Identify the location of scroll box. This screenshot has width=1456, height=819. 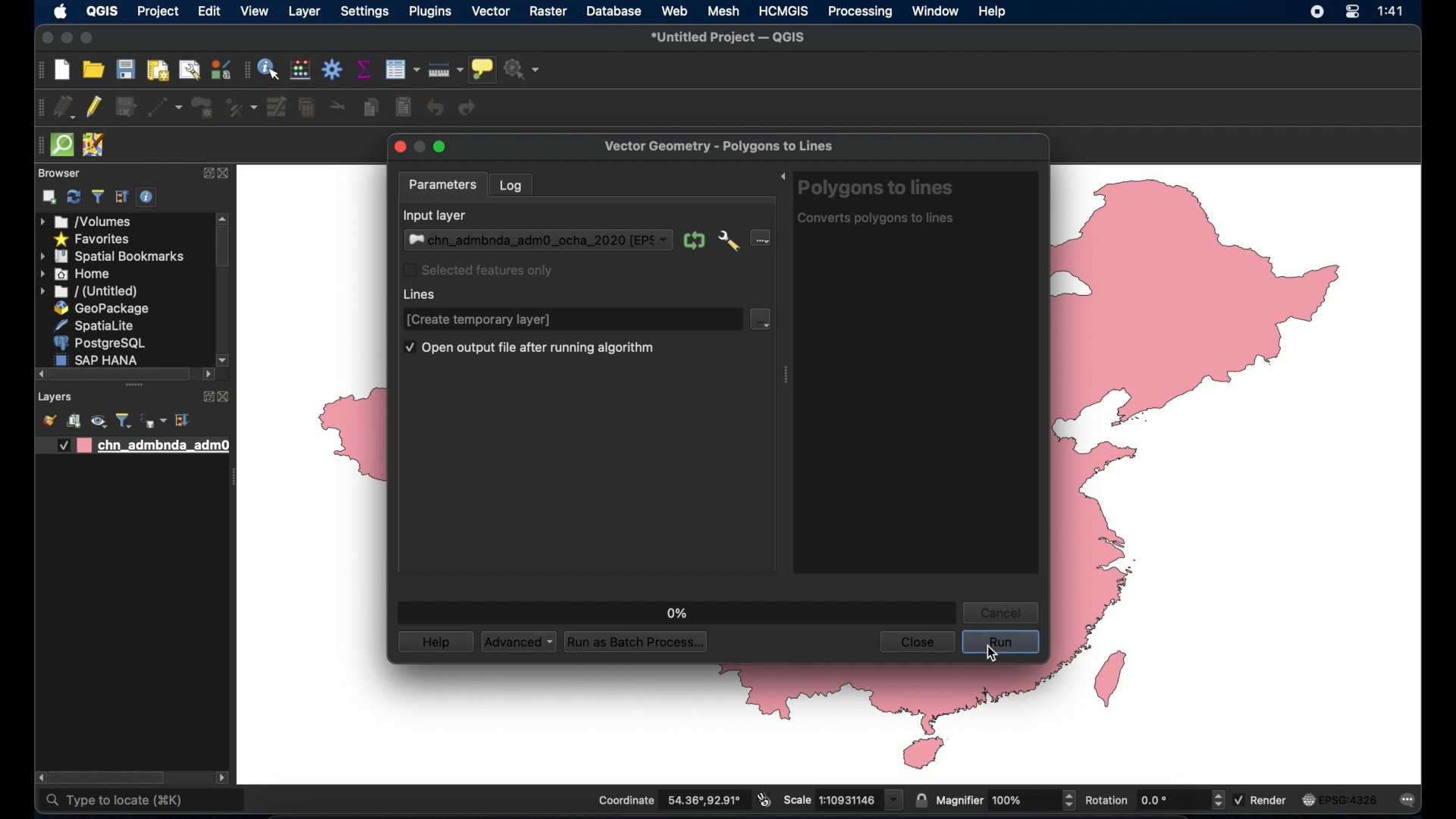
(107, 777).